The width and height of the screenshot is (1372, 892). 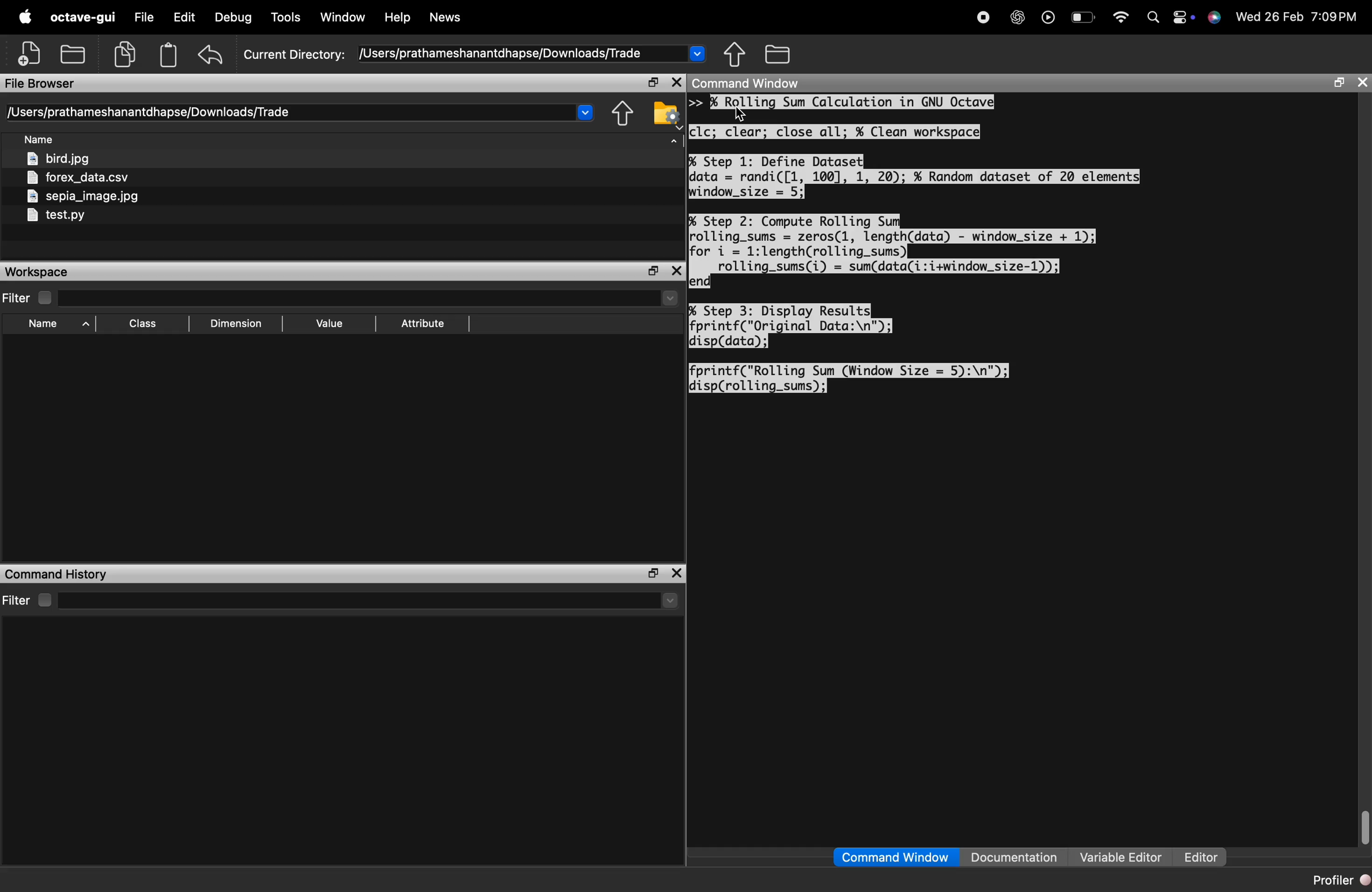 I want to click on sort by name, so click(x=43, y=140).